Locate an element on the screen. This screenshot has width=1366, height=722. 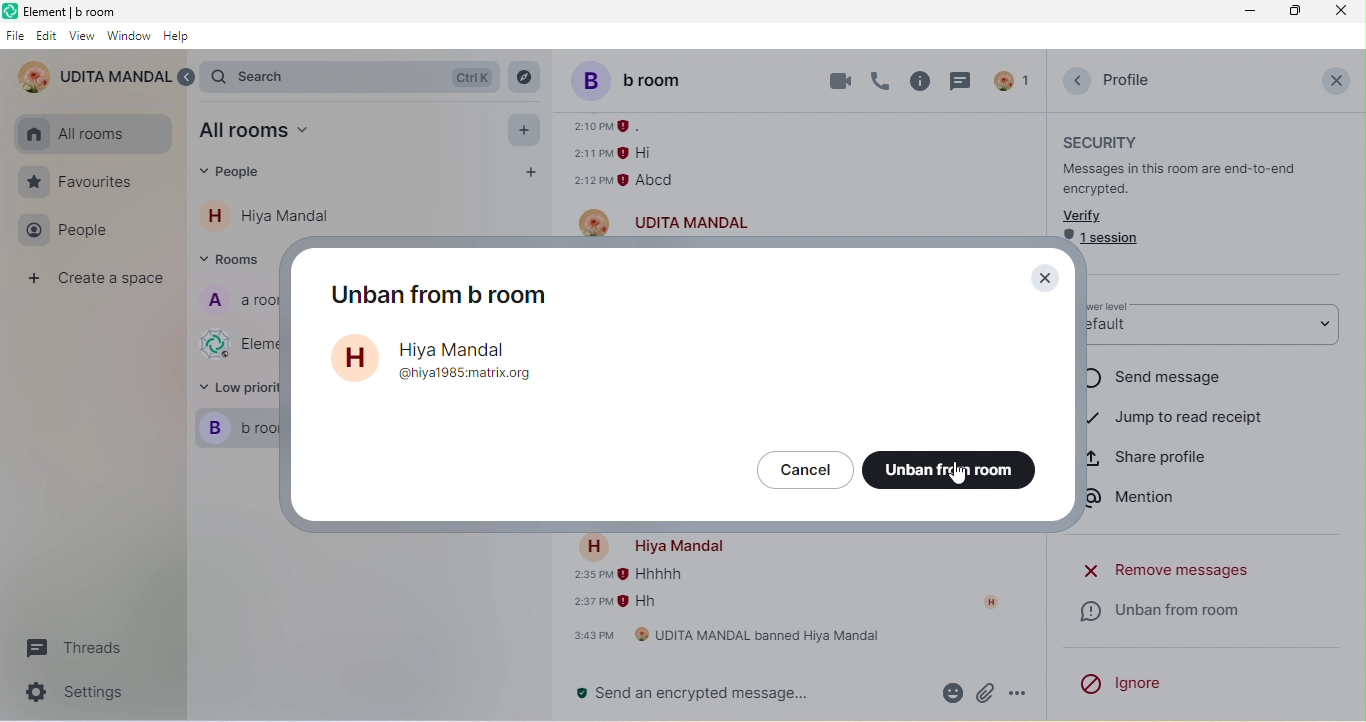
udita mandal is located at coordinates (94, 78).